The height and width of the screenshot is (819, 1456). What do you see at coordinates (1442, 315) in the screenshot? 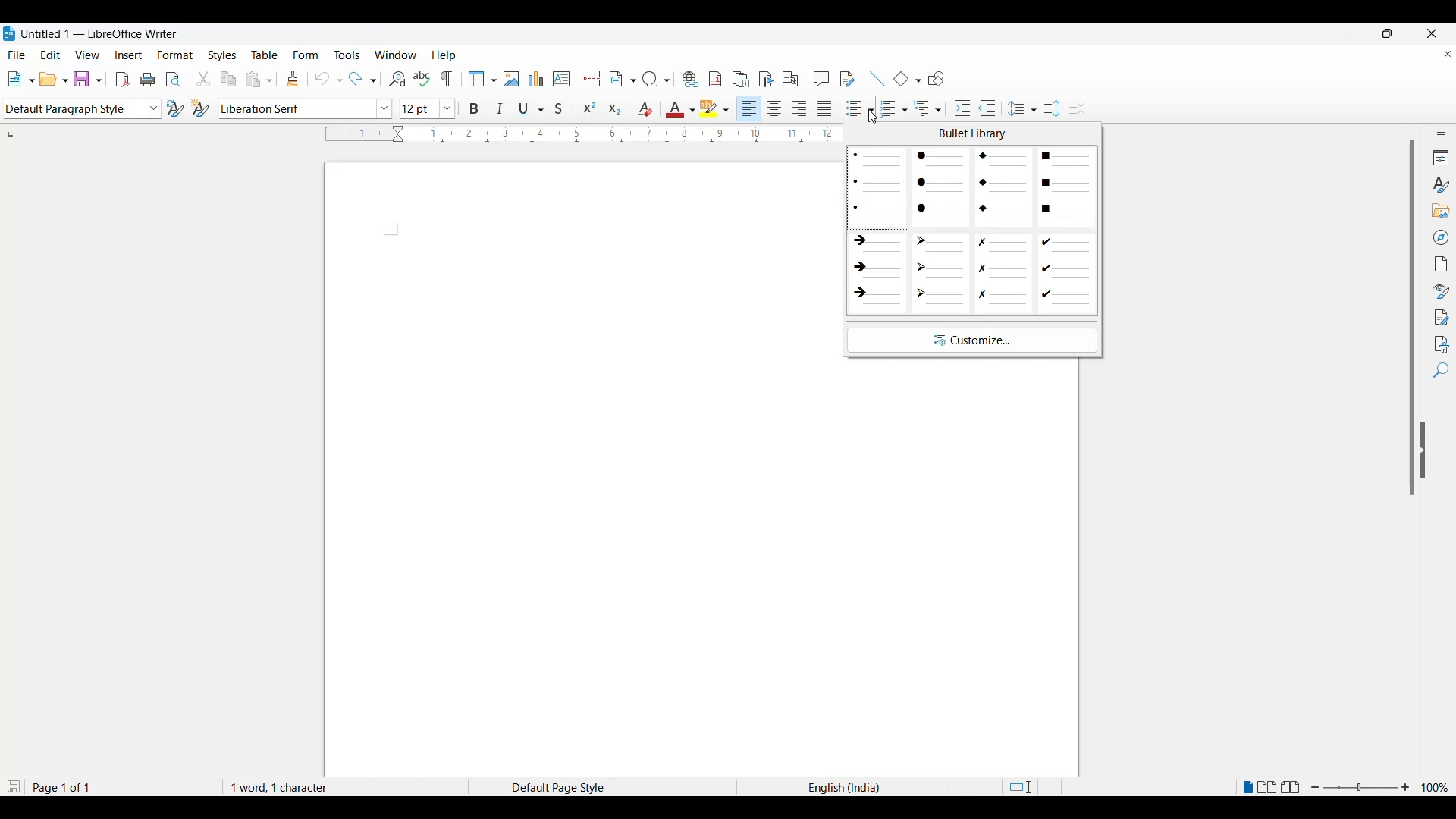
I see `Manage changes` at bounding box center [1442, 315].